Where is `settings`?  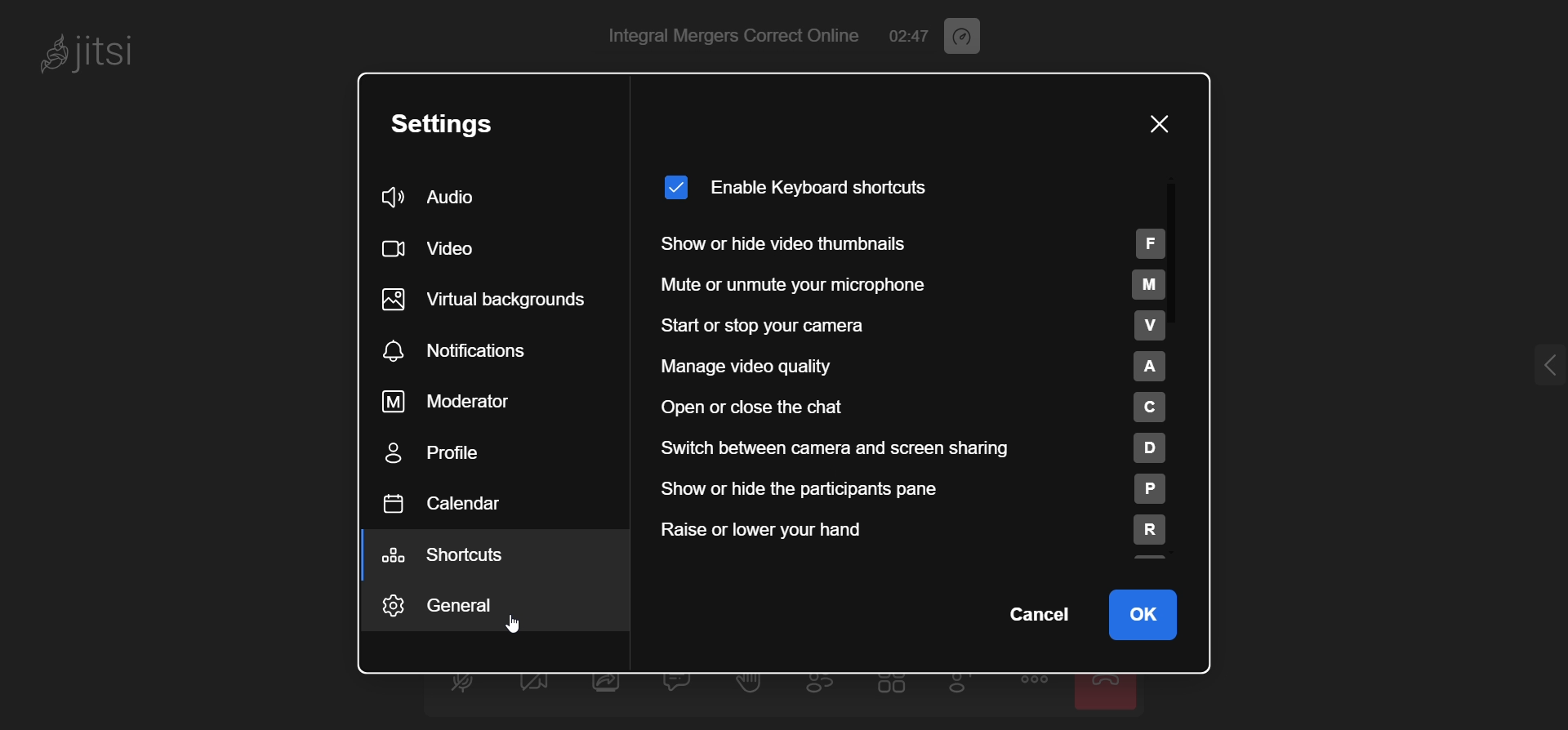 settings is located at coordinates (460, 121).